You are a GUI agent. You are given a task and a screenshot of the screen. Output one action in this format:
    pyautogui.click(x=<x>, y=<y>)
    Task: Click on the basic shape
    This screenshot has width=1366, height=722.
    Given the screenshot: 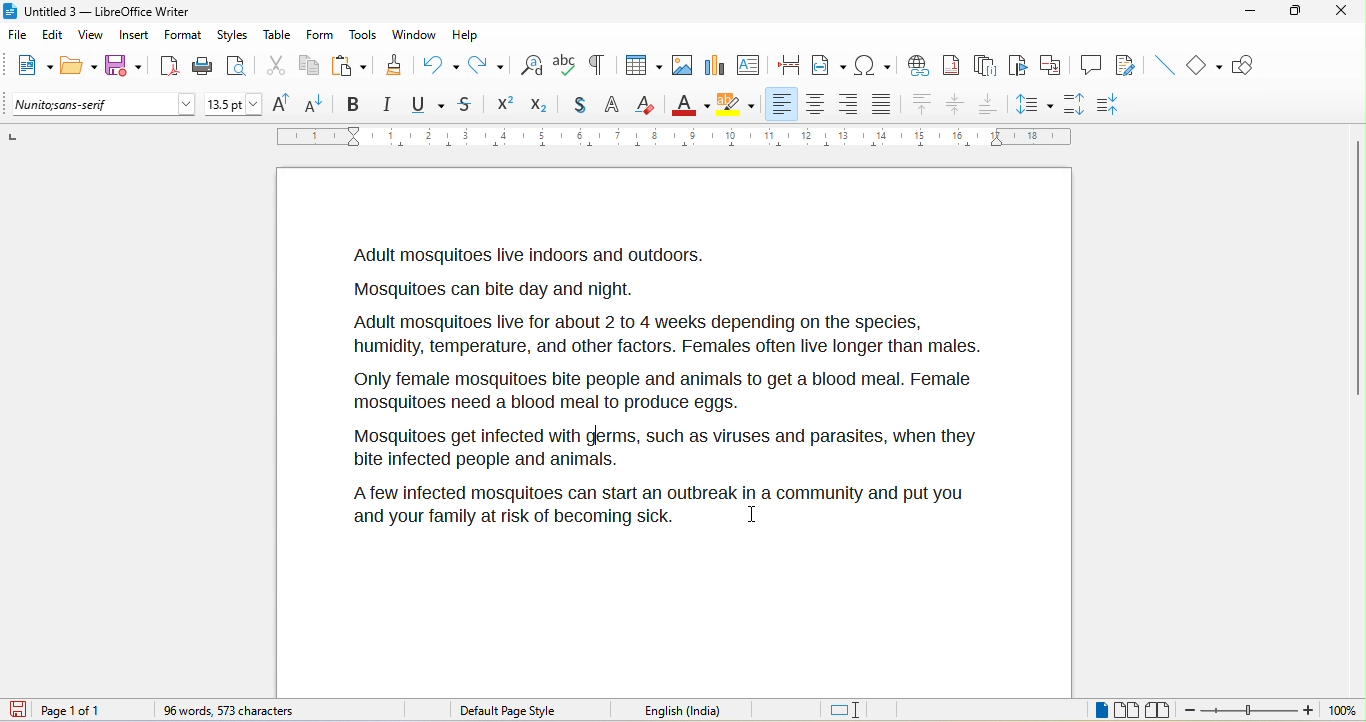 What is the action you would take?
    pyautogui.click(x=1207, y=66)
    